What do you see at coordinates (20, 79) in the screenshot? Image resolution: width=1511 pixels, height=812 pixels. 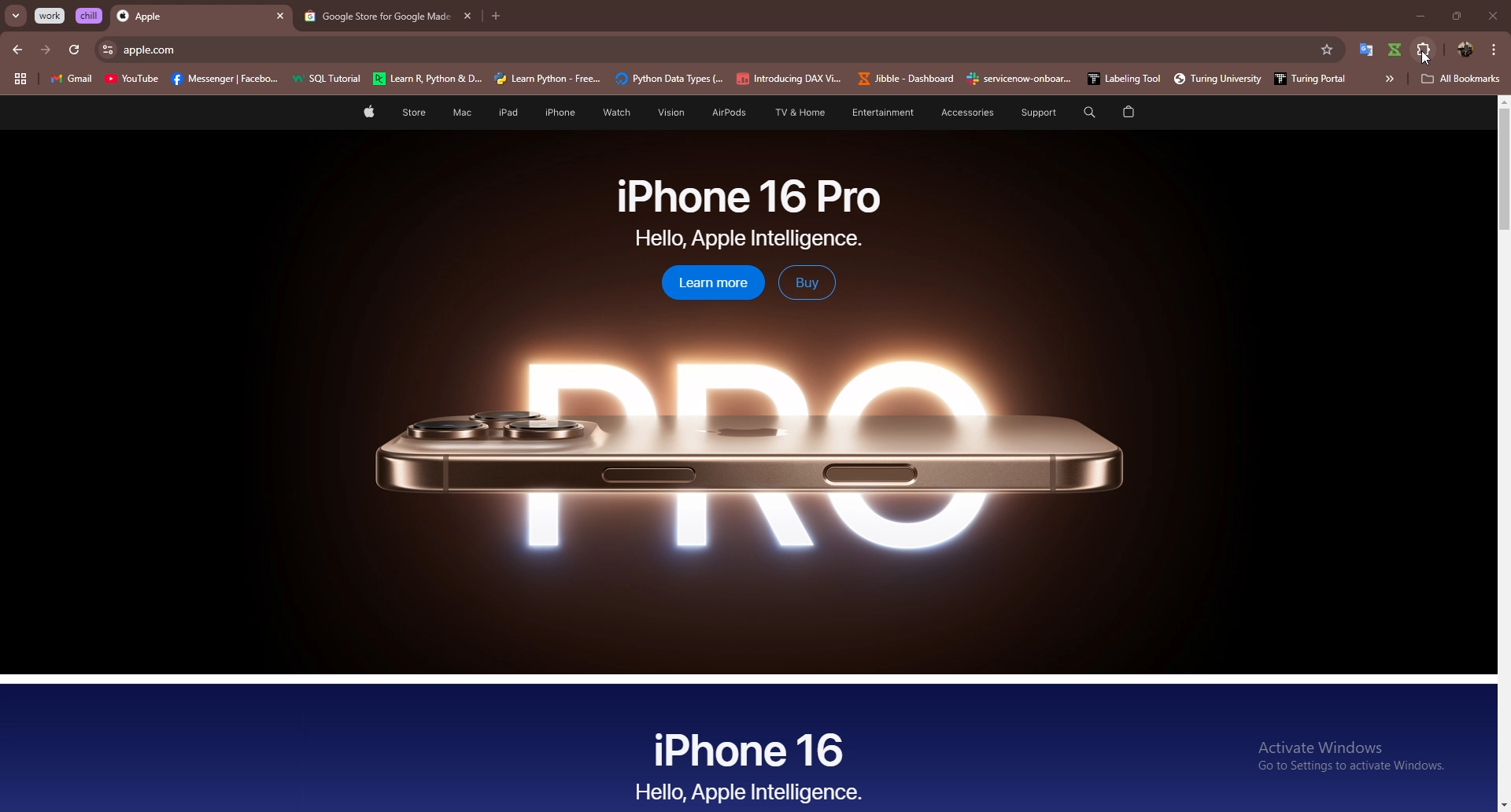 I see `tab groups` at bounding box center [20, 79].